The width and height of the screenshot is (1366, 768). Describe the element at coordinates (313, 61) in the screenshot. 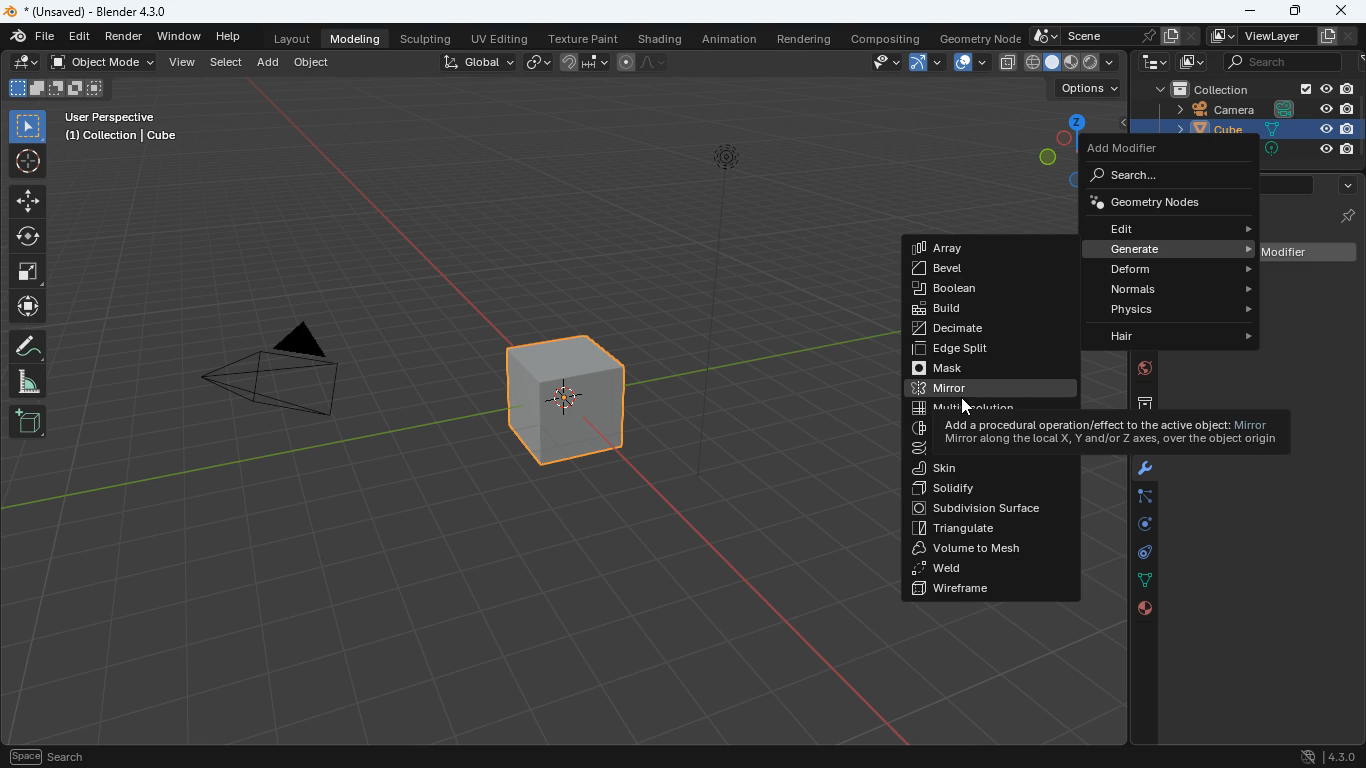

I see `object` at that location.